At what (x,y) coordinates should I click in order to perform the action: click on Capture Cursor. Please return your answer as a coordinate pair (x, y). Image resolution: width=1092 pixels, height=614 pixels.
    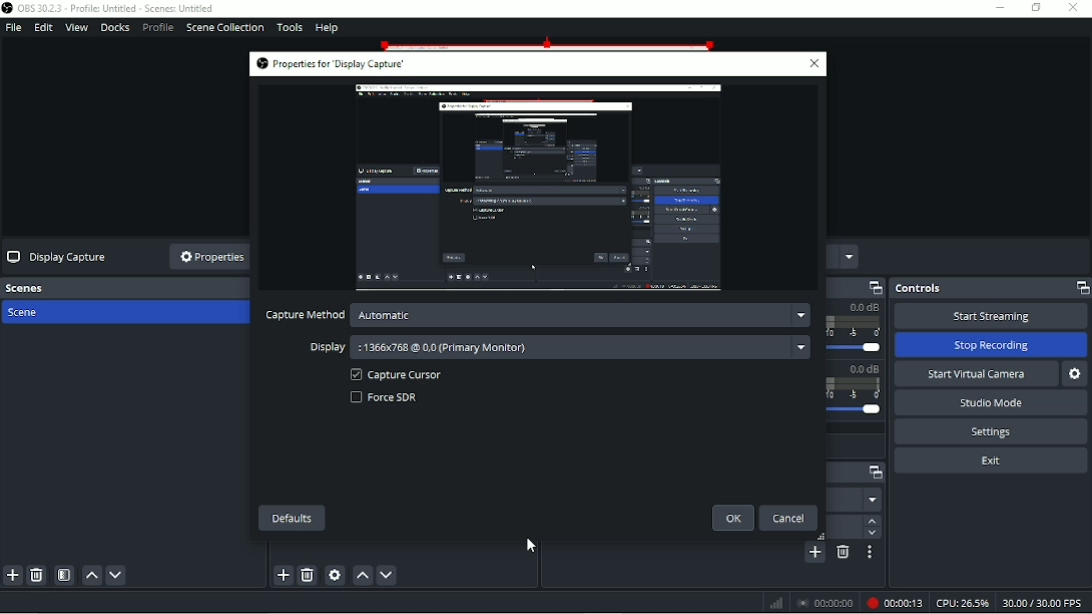
    Looking at the image, I should click on (394, 375).